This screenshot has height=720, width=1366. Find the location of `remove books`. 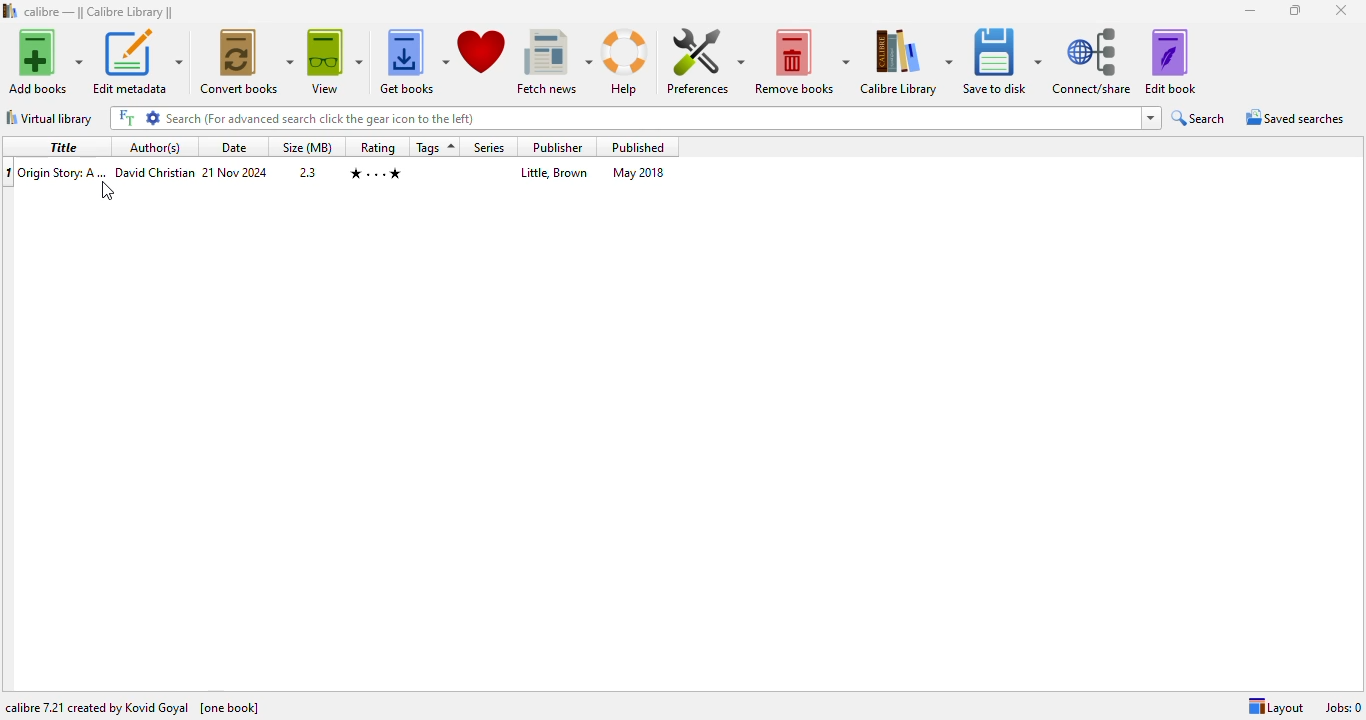

remove books is located at coordinates (803, 60).